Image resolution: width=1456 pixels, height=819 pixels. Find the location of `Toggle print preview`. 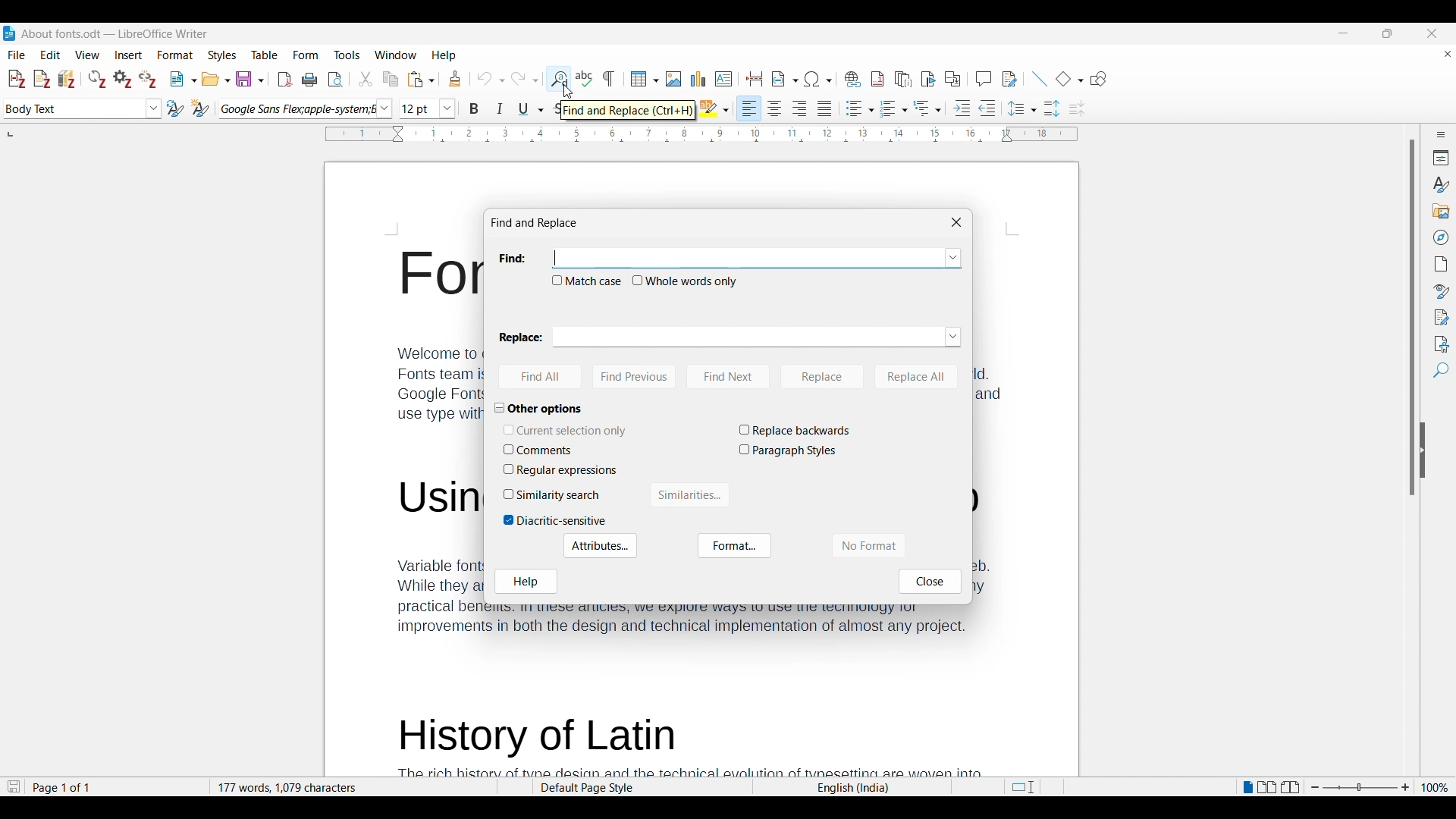

Toggle print preview is located at coordinates (336, 80).